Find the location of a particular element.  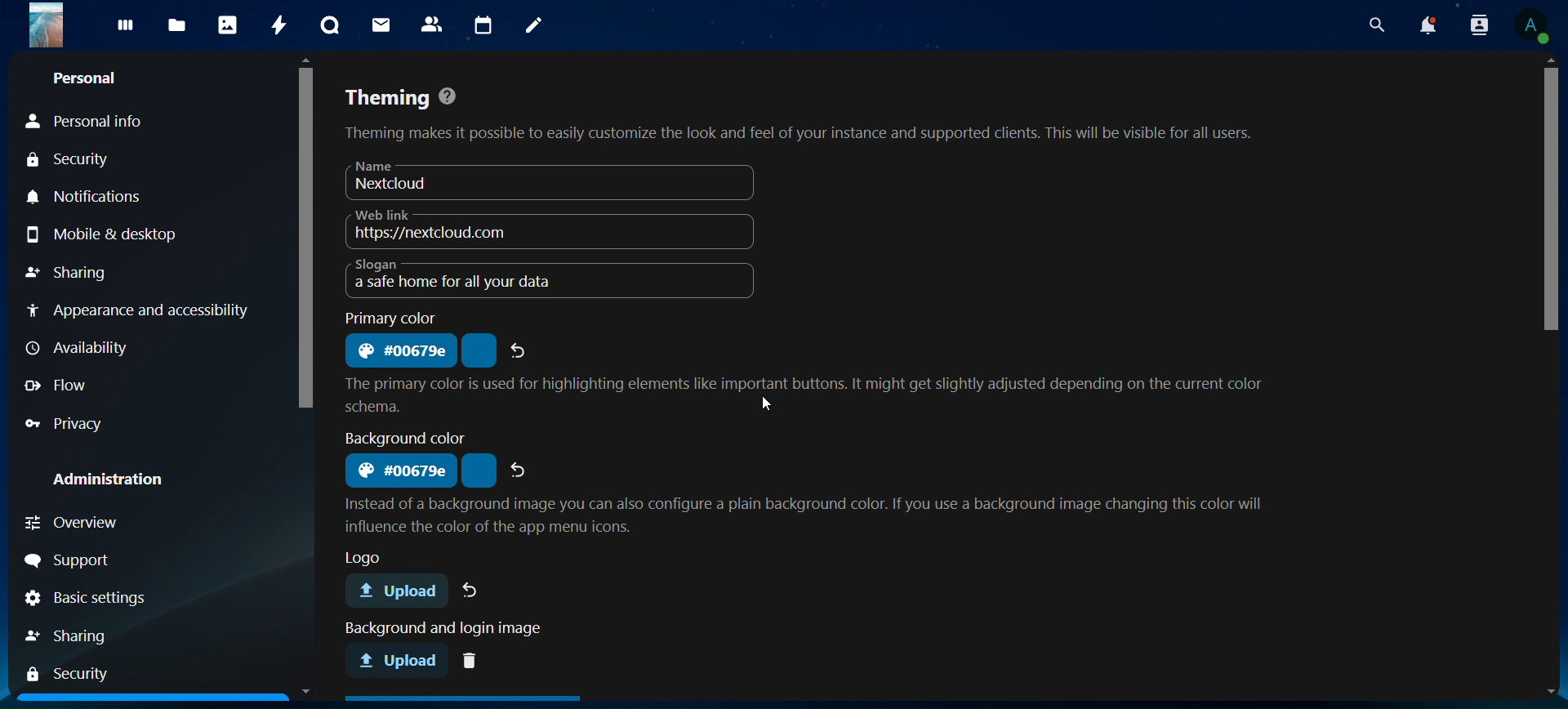

text is located at coordinates (810, 514).